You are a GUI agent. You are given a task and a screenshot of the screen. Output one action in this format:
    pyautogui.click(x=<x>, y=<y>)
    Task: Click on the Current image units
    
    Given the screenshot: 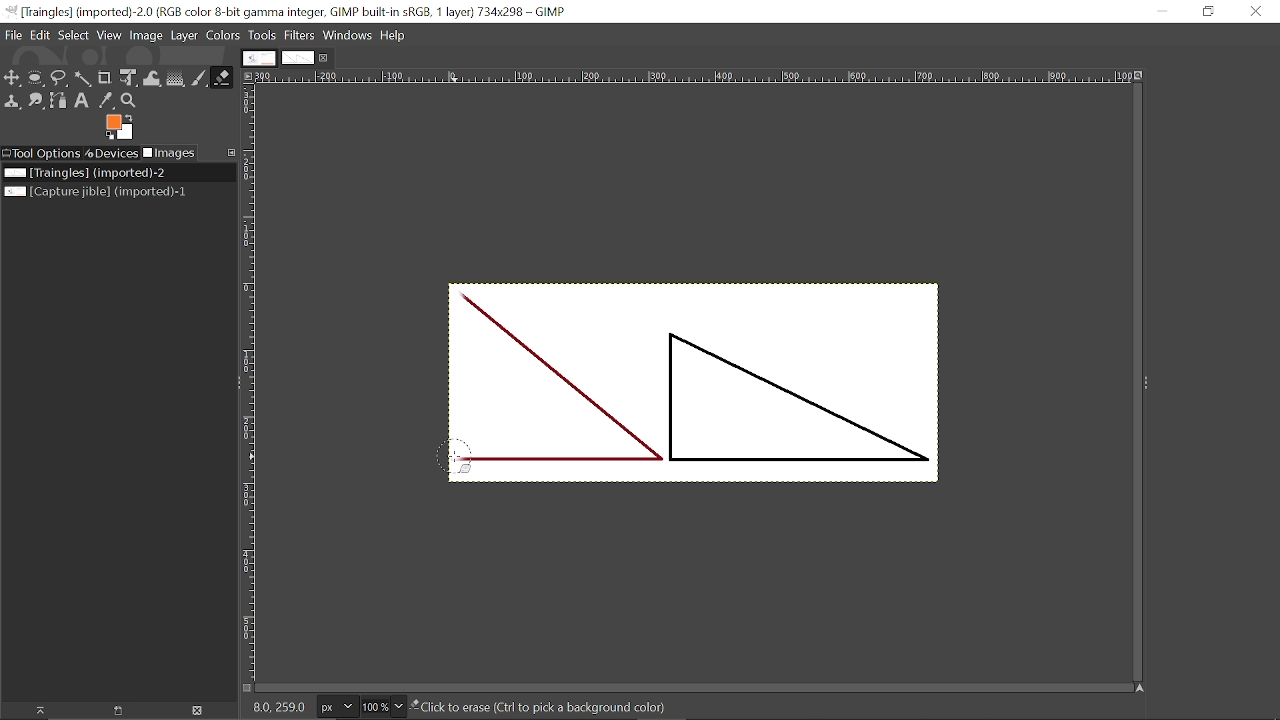 What is the action you would take?
    pyautogui.click(x=336, y=707)
    